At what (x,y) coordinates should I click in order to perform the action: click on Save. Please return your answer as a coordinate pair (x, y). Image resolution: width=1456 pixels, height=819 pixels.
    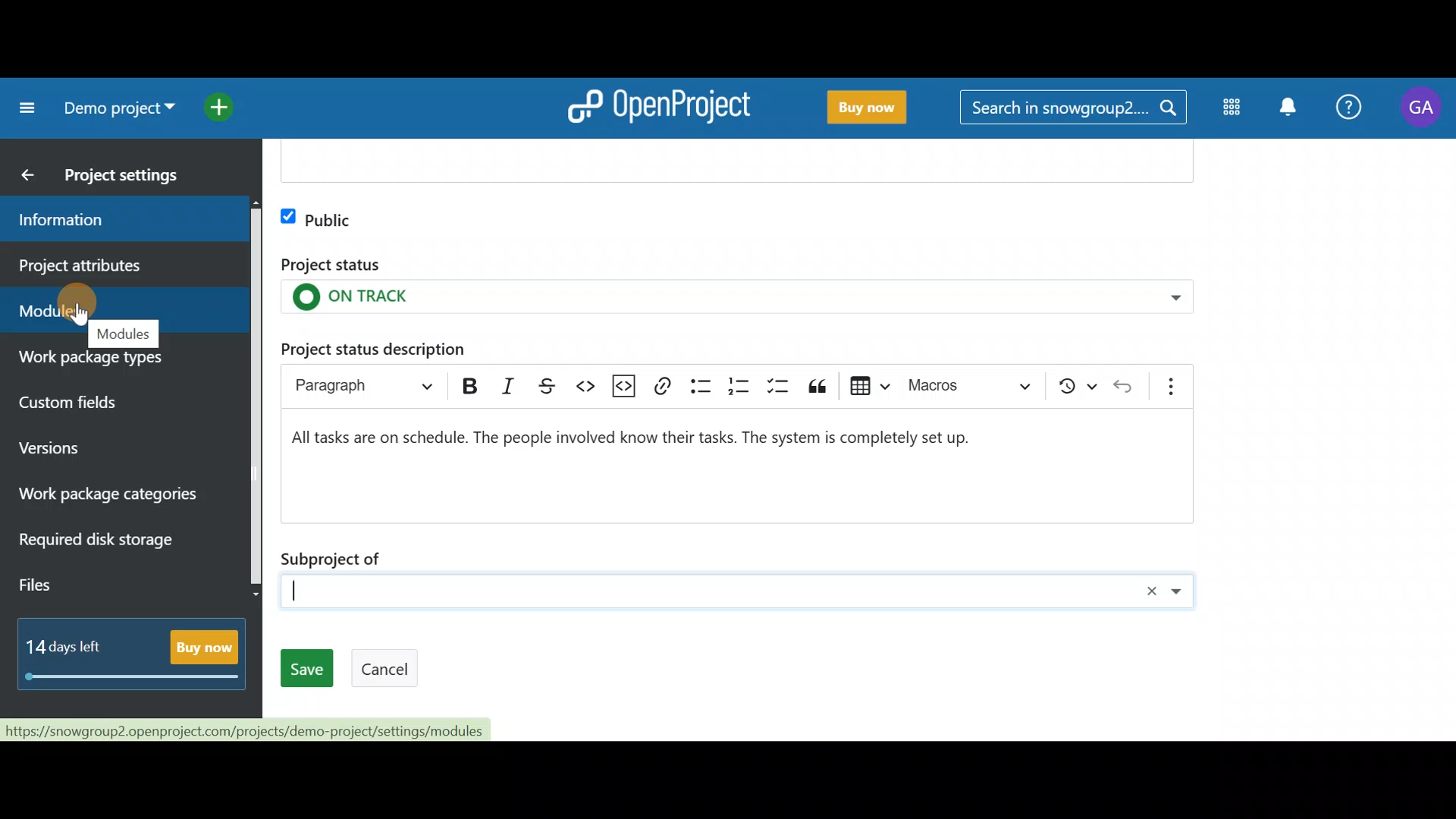
    Looking at the image, I should click on (306, 668).